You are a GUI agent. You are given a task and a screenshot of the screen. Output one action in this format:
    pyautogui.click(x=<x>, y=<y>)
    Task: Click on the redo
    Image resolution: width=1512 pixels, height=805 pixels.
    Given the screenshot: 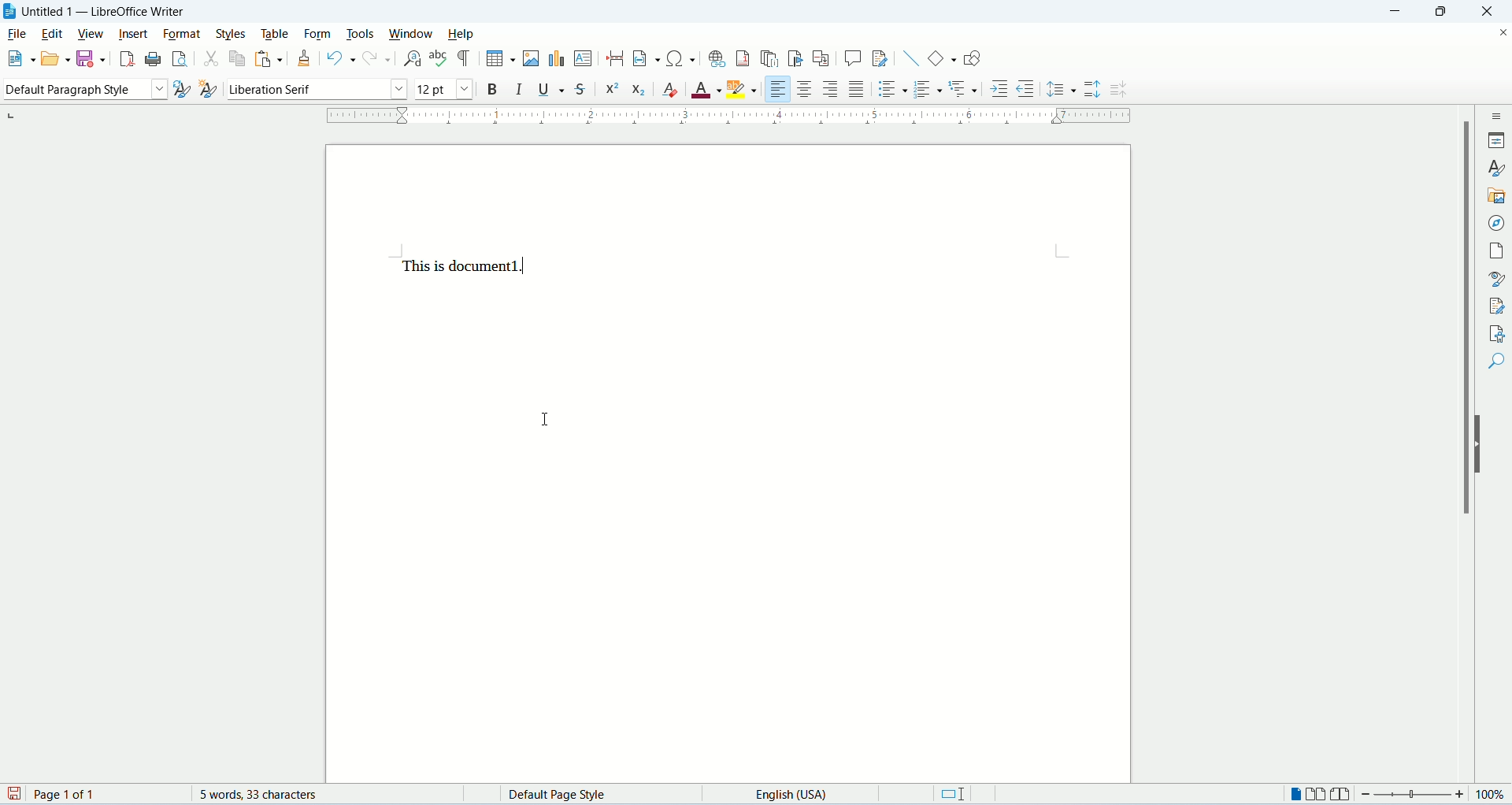 What is the action you would take?
    pyautogui.click(x=378, y=60)
    